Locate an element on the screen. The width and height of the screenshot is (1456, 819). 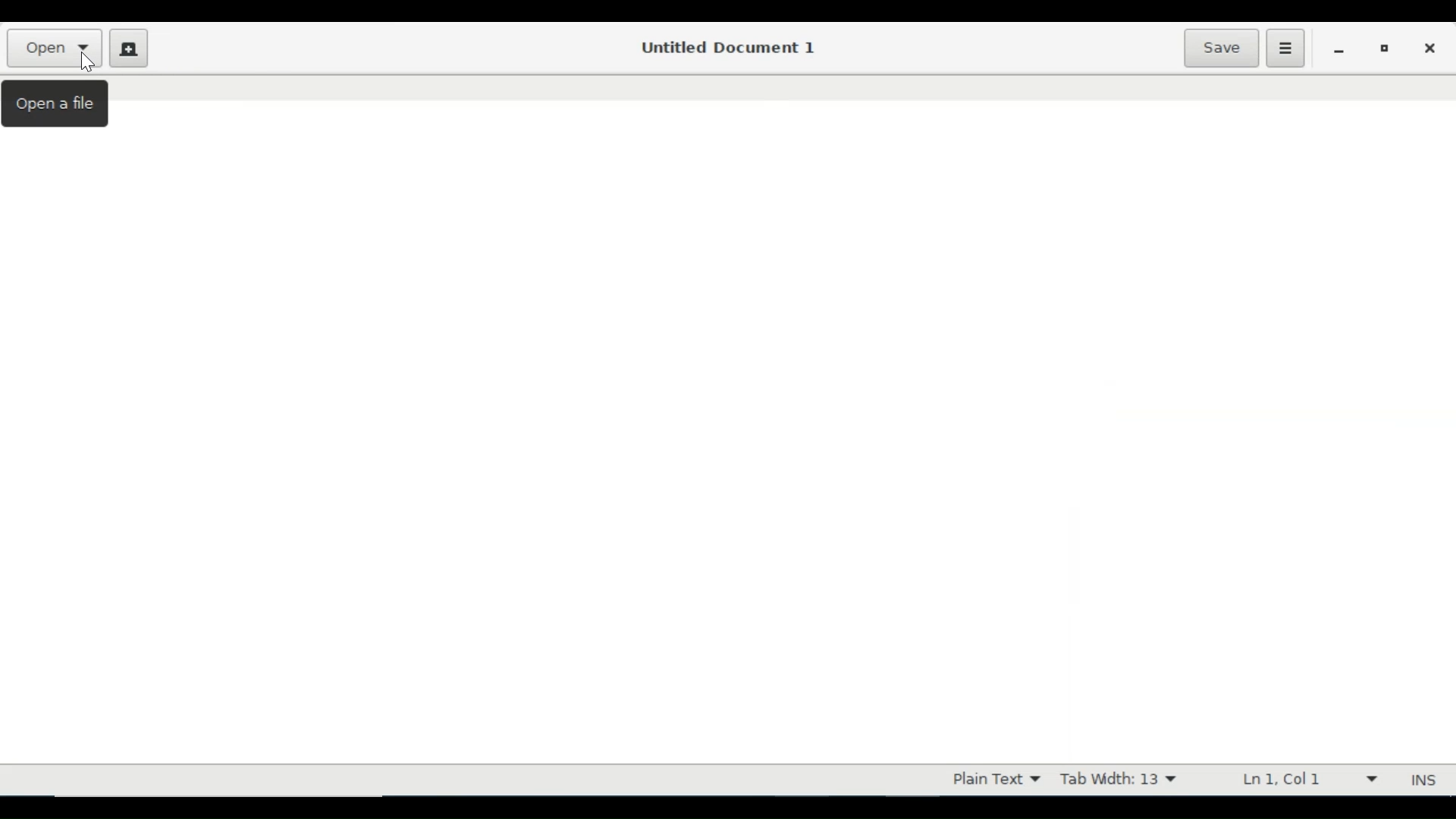
minimize is located at coordinates (1338, 48).